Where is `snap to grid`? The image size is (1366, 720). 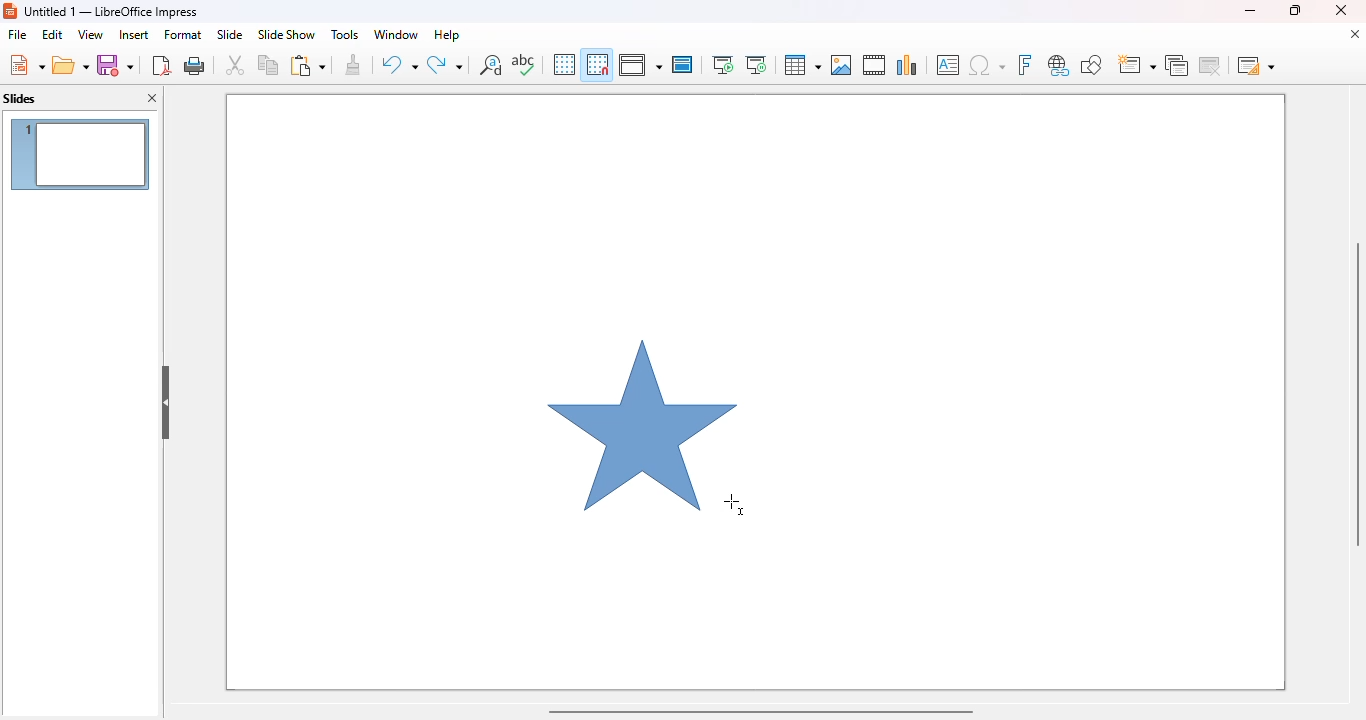
snap to grid is located at coordinates (596, 64).